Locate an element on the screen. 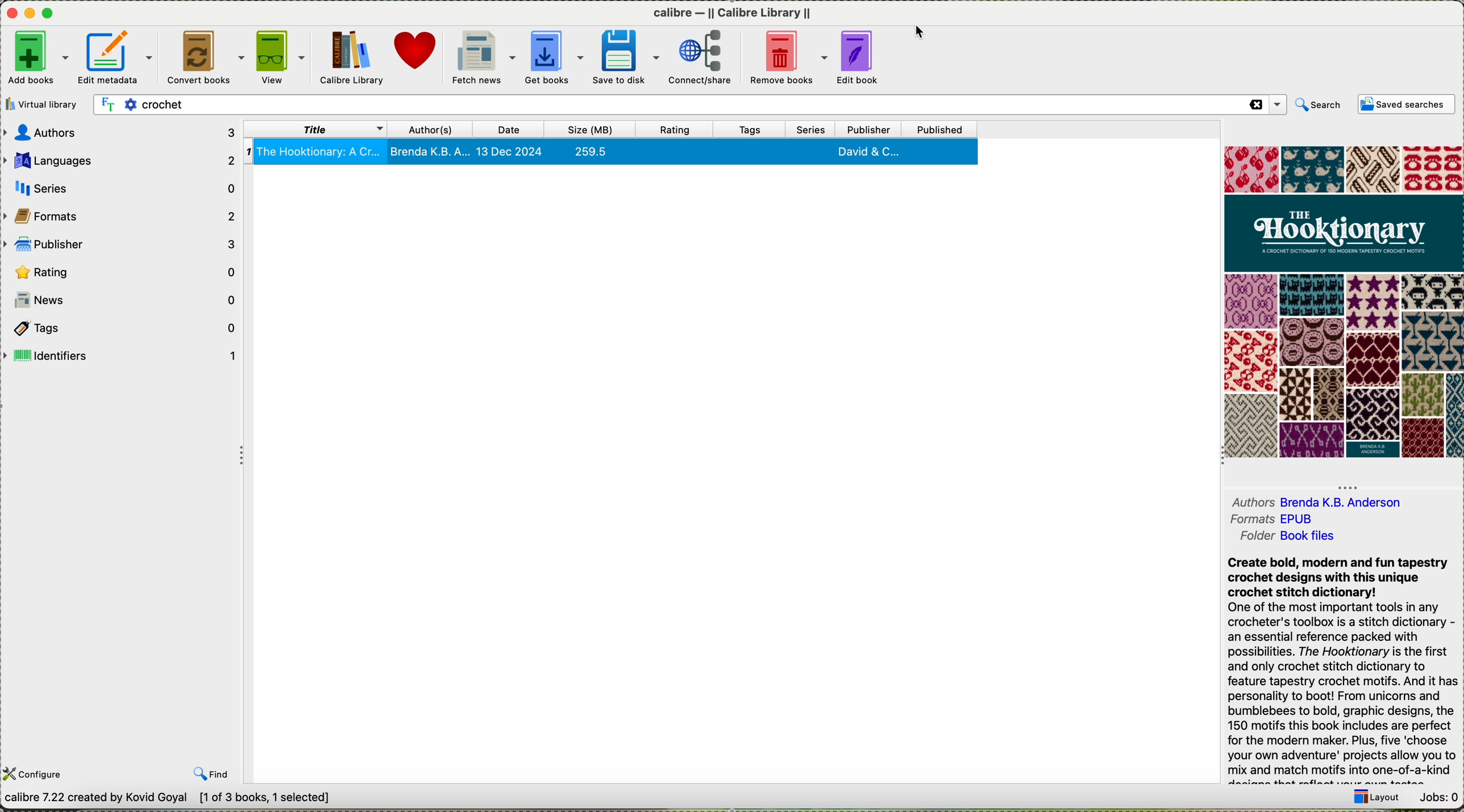 This screenshot has width=1464, height=812. formats is located at coordinates (122, 216).